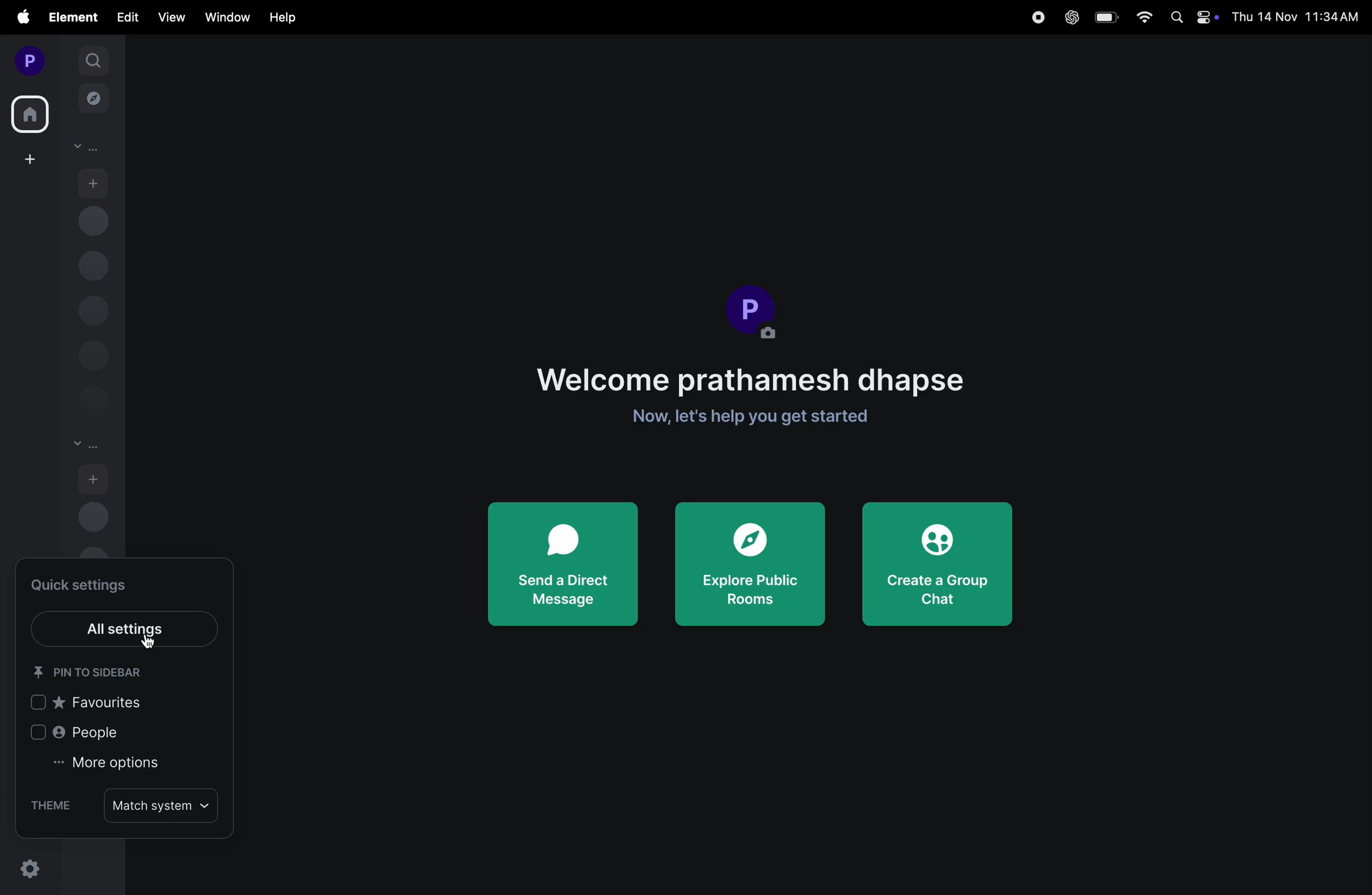  Describe the element at coordinates (70, 16) in the screenshot. I see `element` at that location.